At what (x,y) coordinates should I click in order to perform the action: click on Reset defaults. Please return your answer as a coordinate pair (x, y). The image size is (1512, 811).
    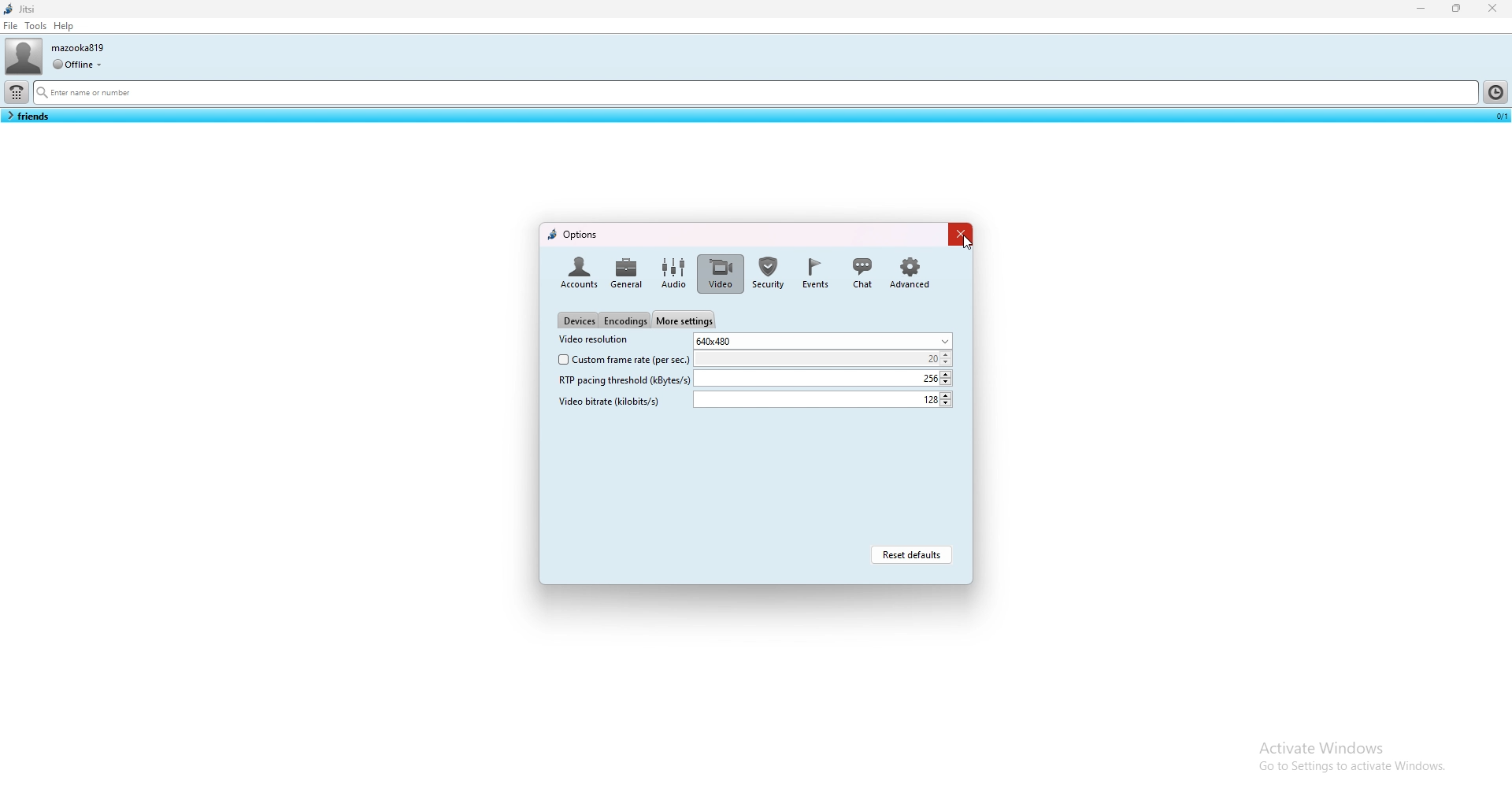
    Looking at the image, I should click on (911, 554).